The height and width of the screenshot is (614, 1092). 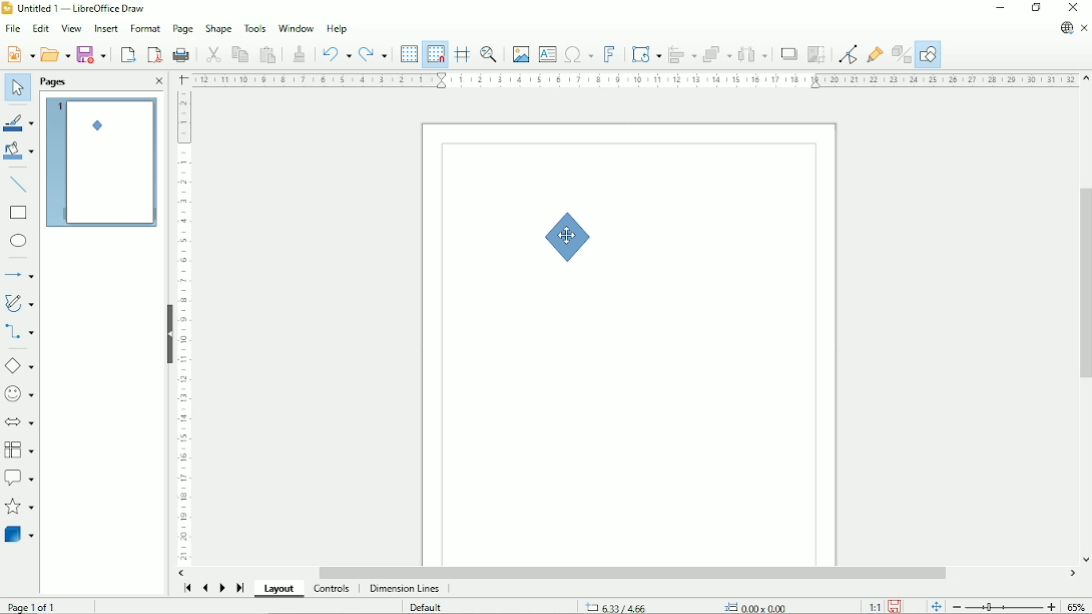 I want to click on Scroll to next page, so click(x=221, y=587).